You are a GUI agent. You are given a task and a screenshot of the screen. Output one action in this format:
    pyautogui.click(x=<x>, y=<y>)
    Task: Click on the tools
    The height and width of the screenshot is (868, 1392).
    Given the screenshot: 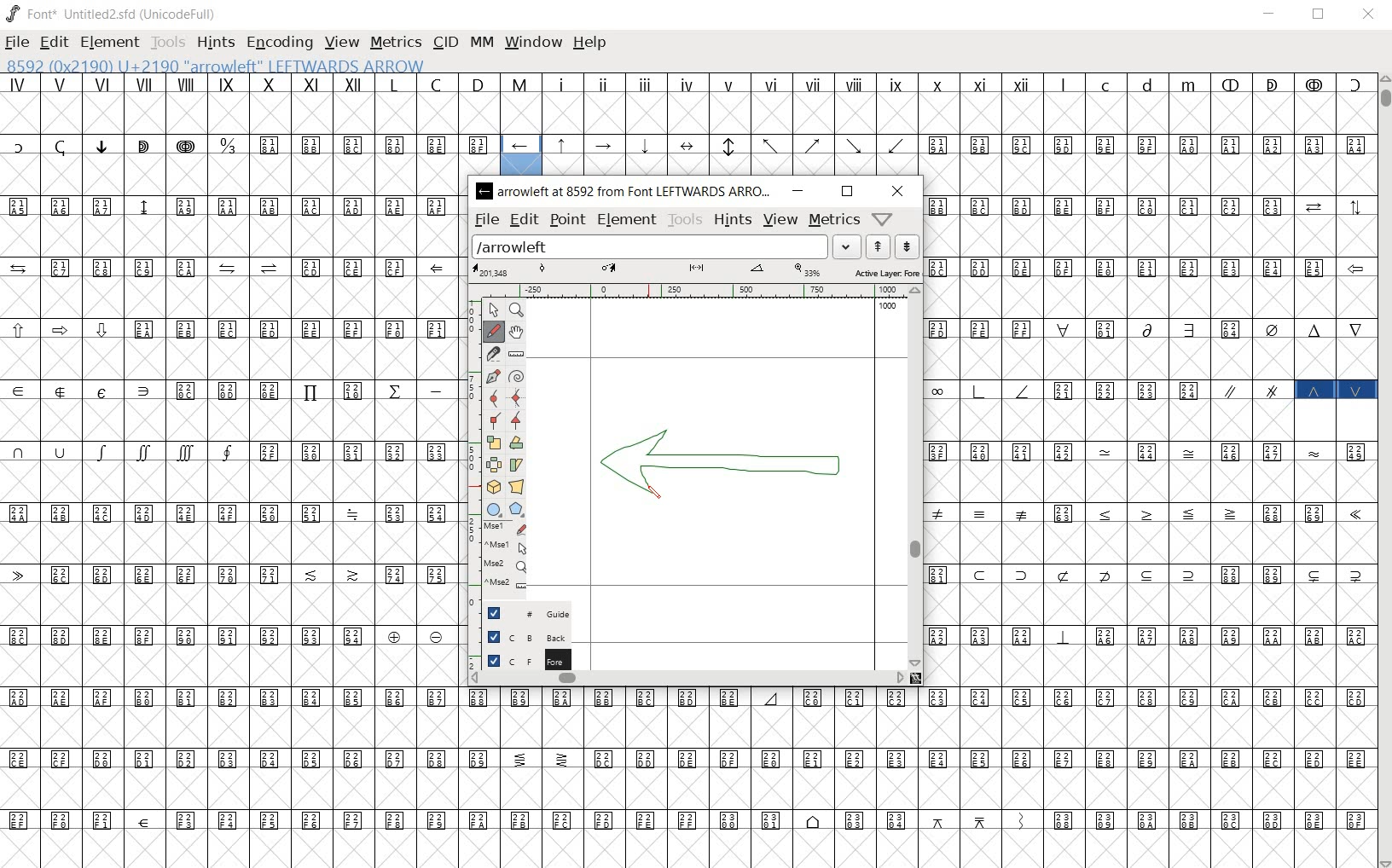 What is the action you would take?
    pyautogui.click(x=167, y=44)
    